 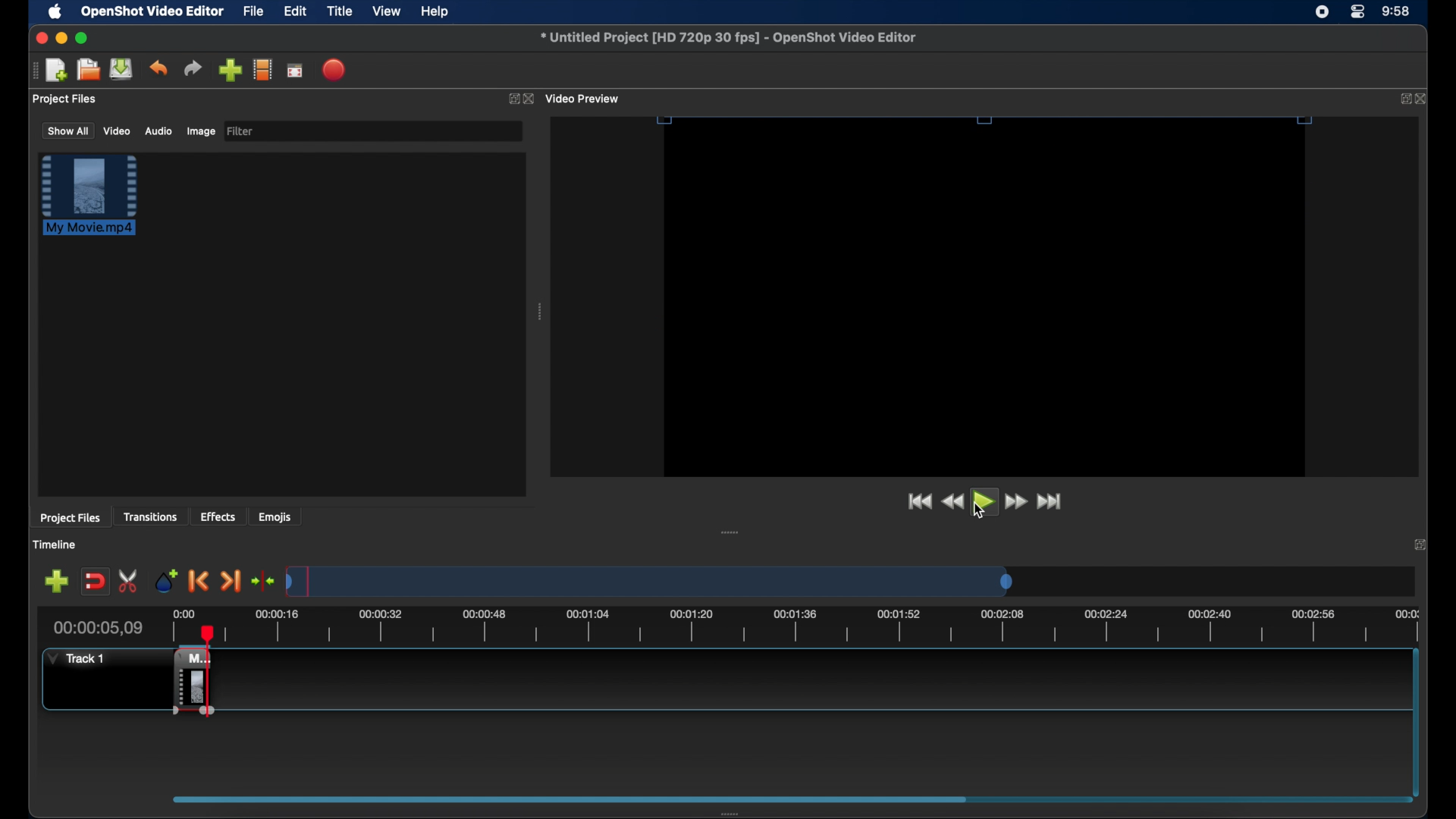 What do you see at coordinates (58, 71) in the screenshot?
I see `new project` at bounding box center [58, 71].